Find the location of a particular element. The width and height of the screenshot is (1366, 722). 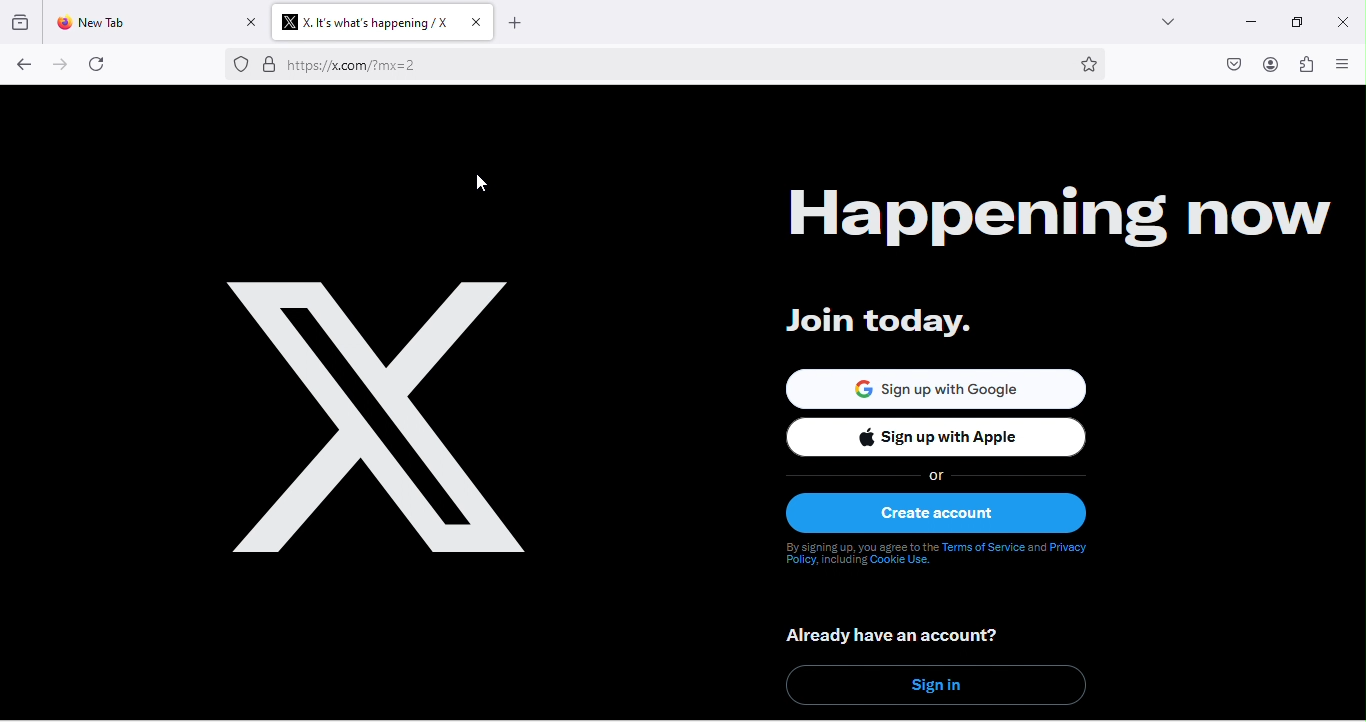

title is located at coordinates (381, 23).